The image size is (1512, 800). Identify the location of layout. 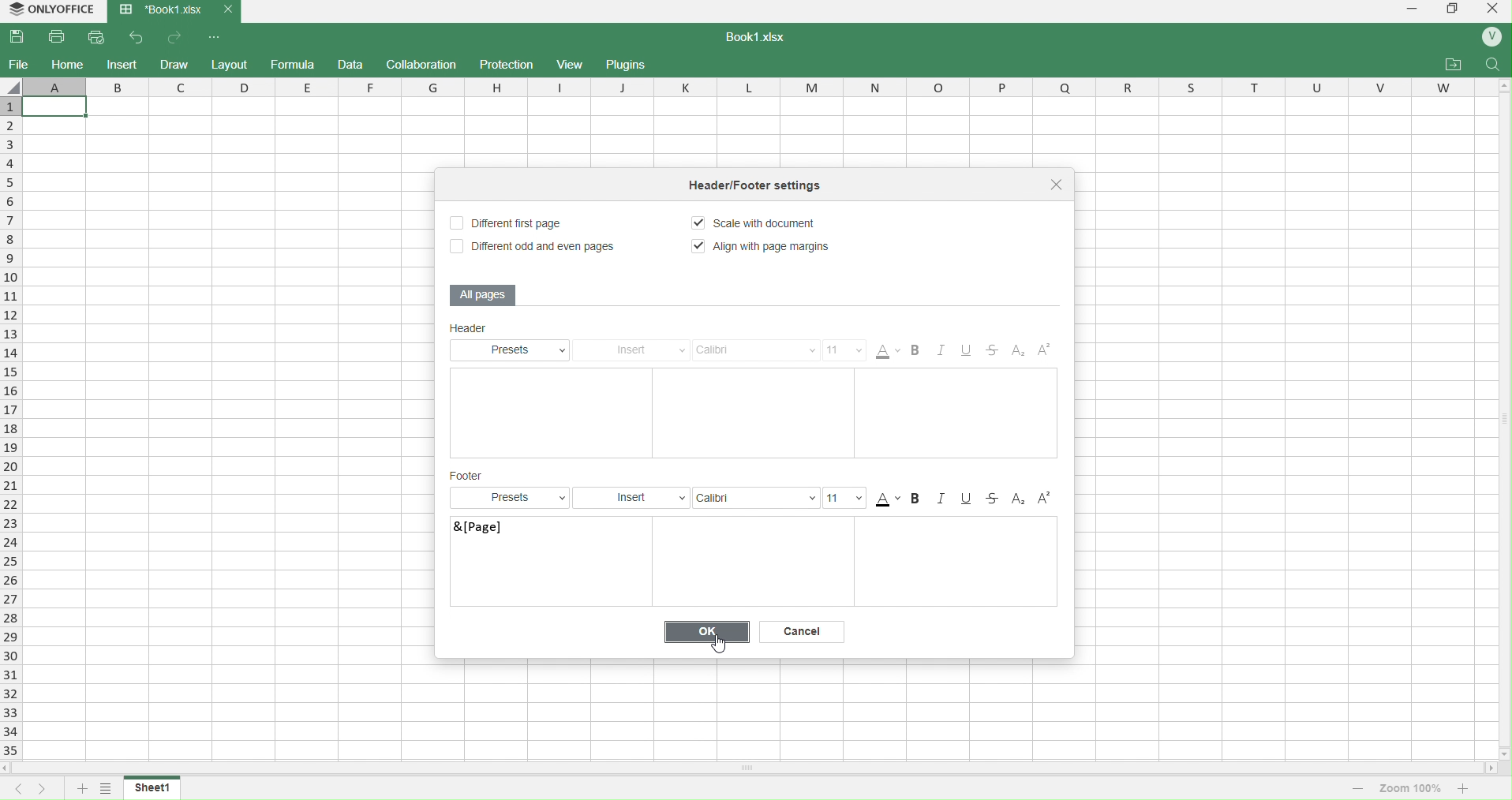
(231, 63).